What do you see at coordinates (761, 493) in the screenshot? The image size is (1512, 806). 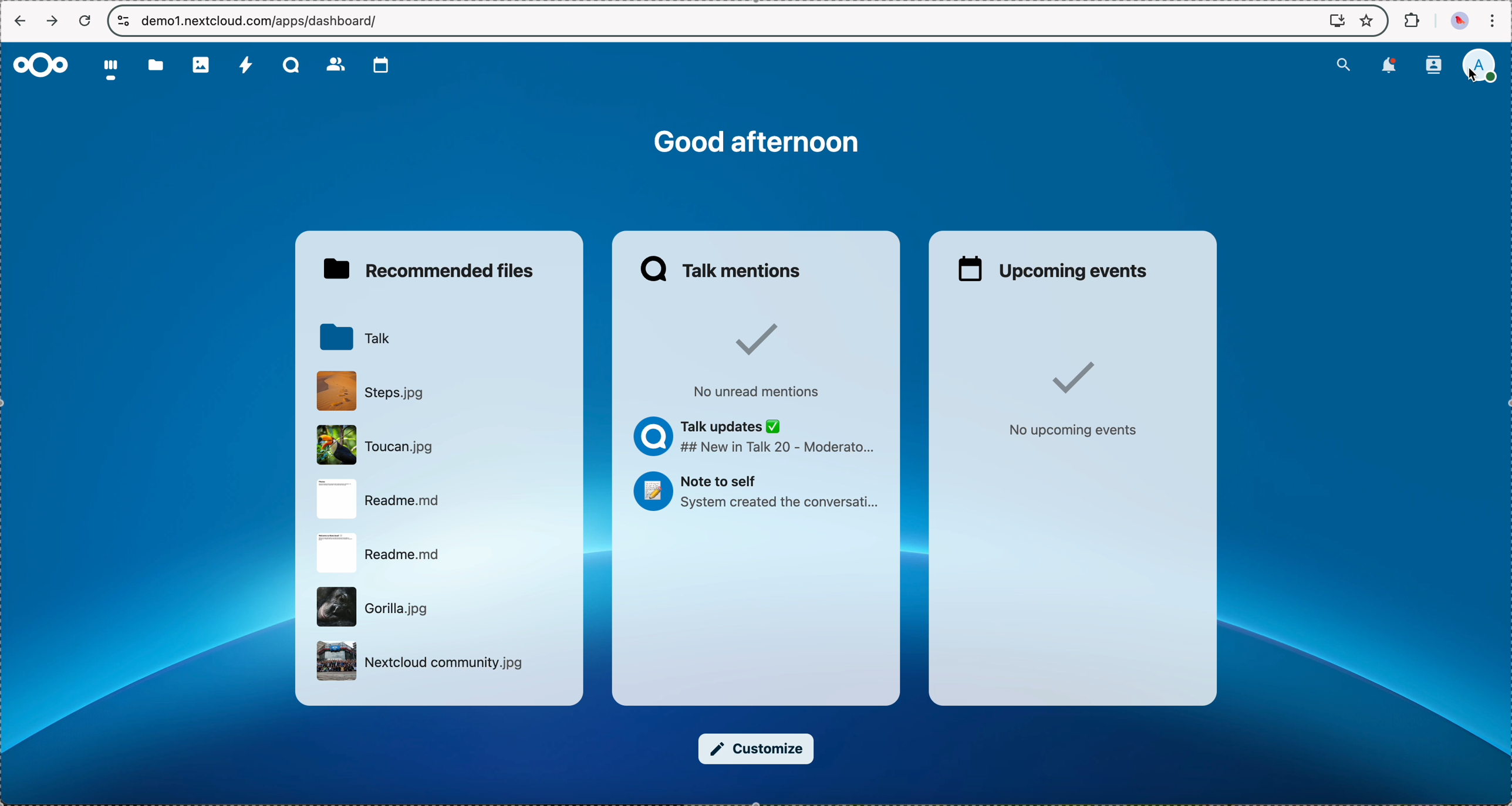 I see `note to self` at bounding box center [761, 493].